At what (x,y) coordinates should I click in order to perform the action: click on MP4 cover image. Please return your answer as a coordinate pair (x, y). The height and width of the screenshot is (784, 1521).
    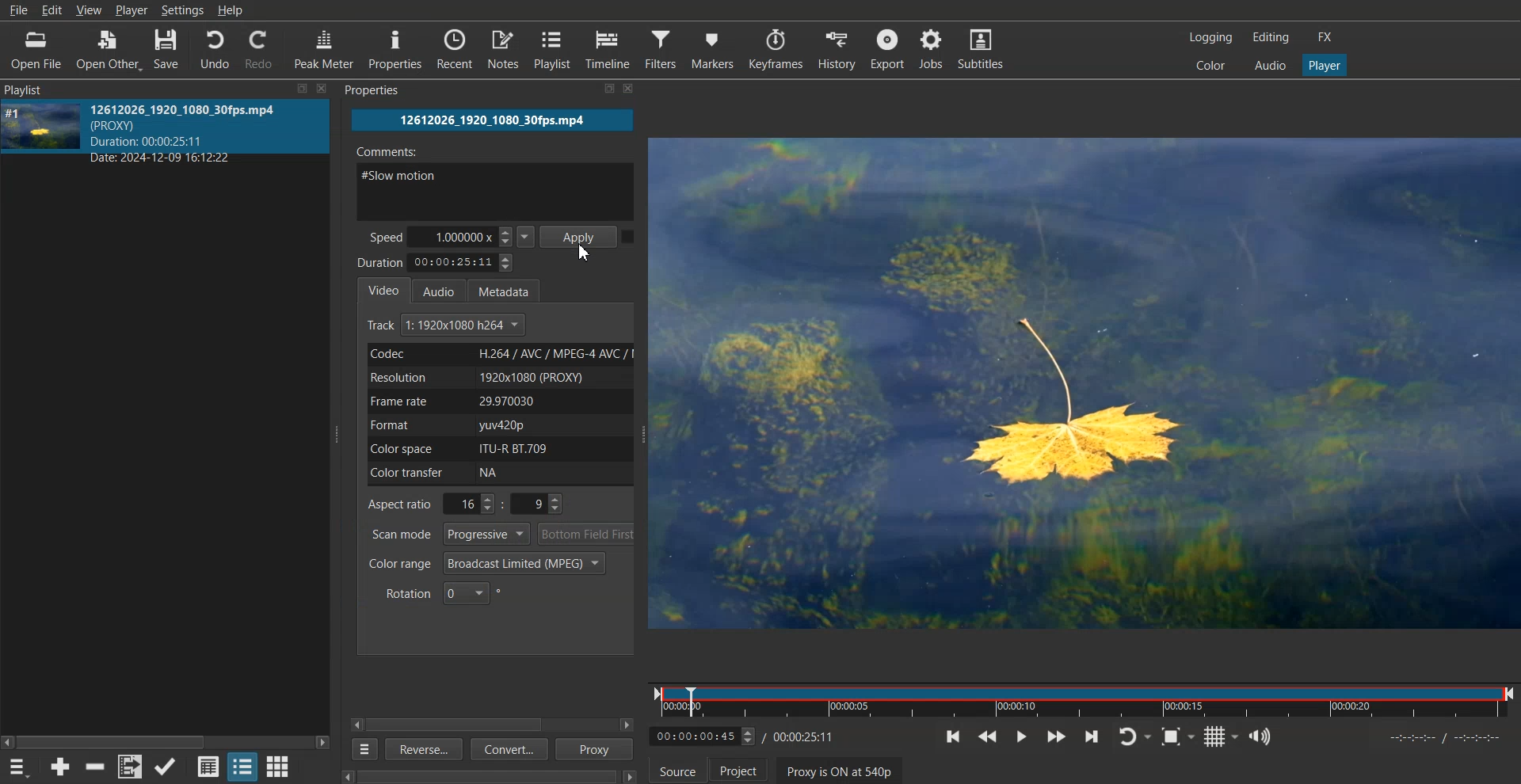
    Looking at the image, I should click on (42, 132).